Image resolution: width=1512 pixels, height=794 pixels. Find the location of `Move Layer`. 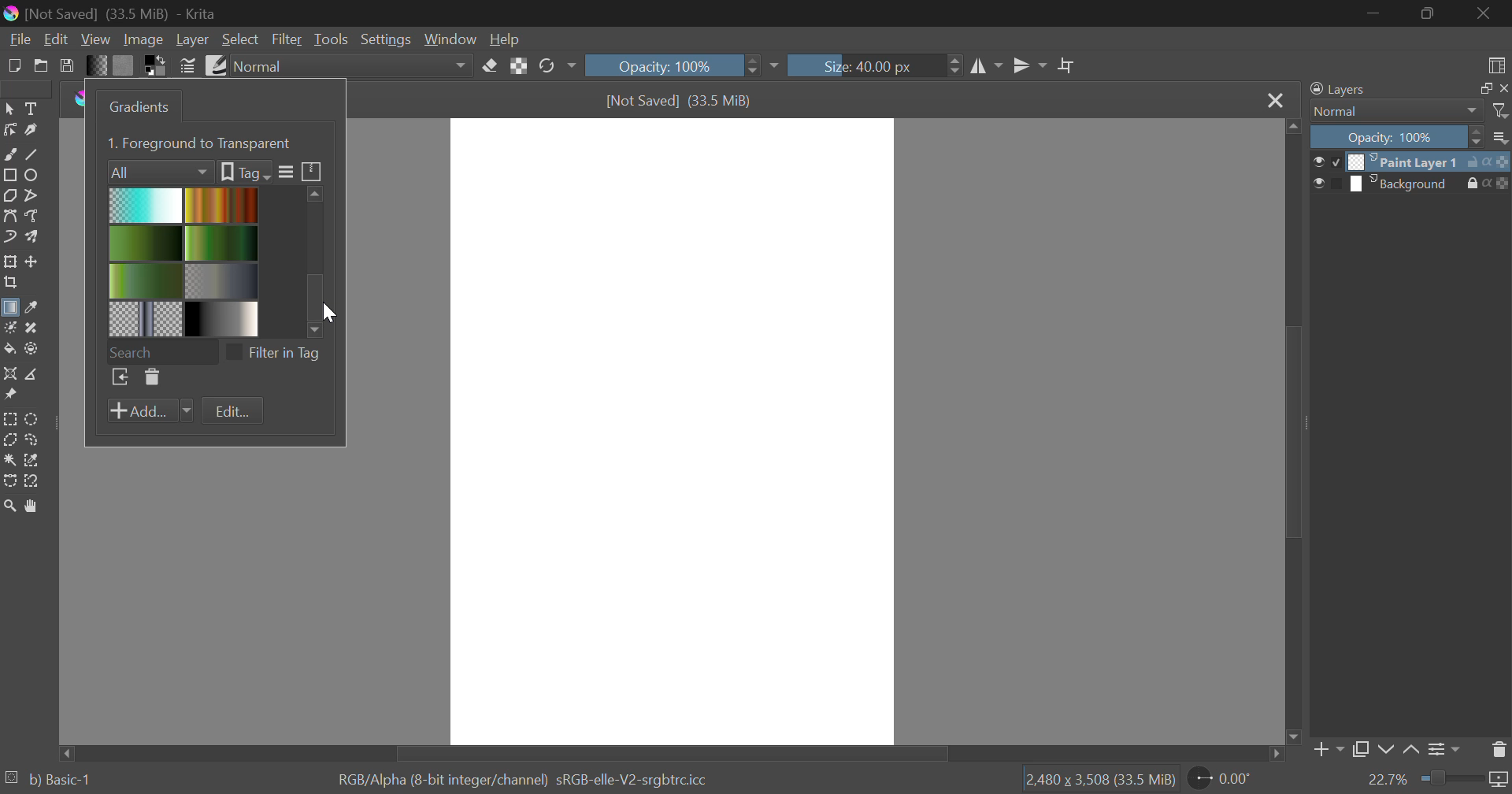

Move Layer is located at coordinates (32, 262).